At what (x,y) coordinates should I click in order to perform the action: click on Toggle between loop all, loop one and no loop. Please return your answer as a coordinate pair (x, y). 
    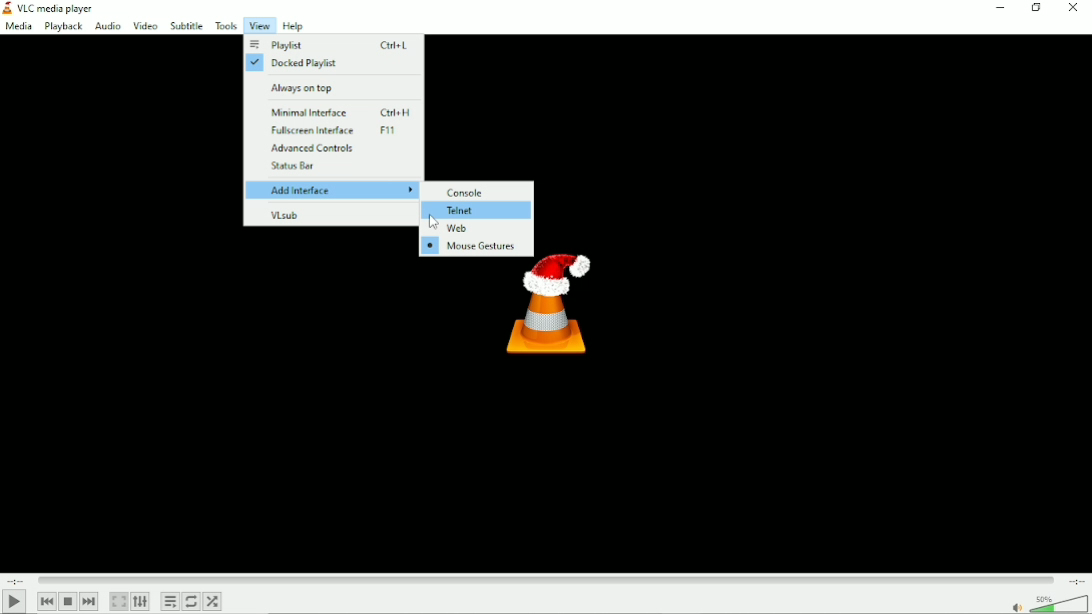
    Looking at the image, I should click on (190, 601).